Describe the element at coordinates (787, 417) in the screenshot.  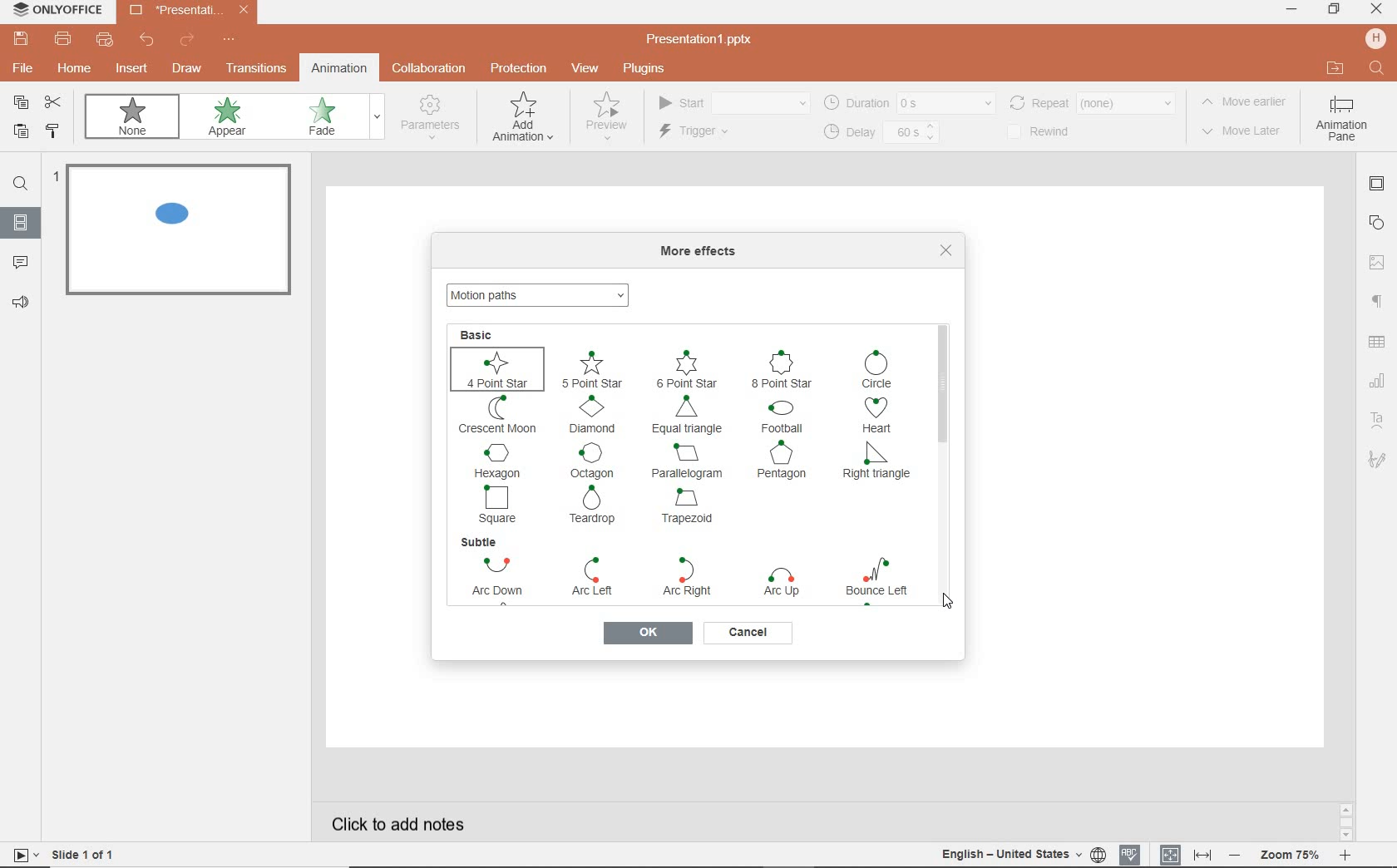
I see `FOOTBALL` at that location.